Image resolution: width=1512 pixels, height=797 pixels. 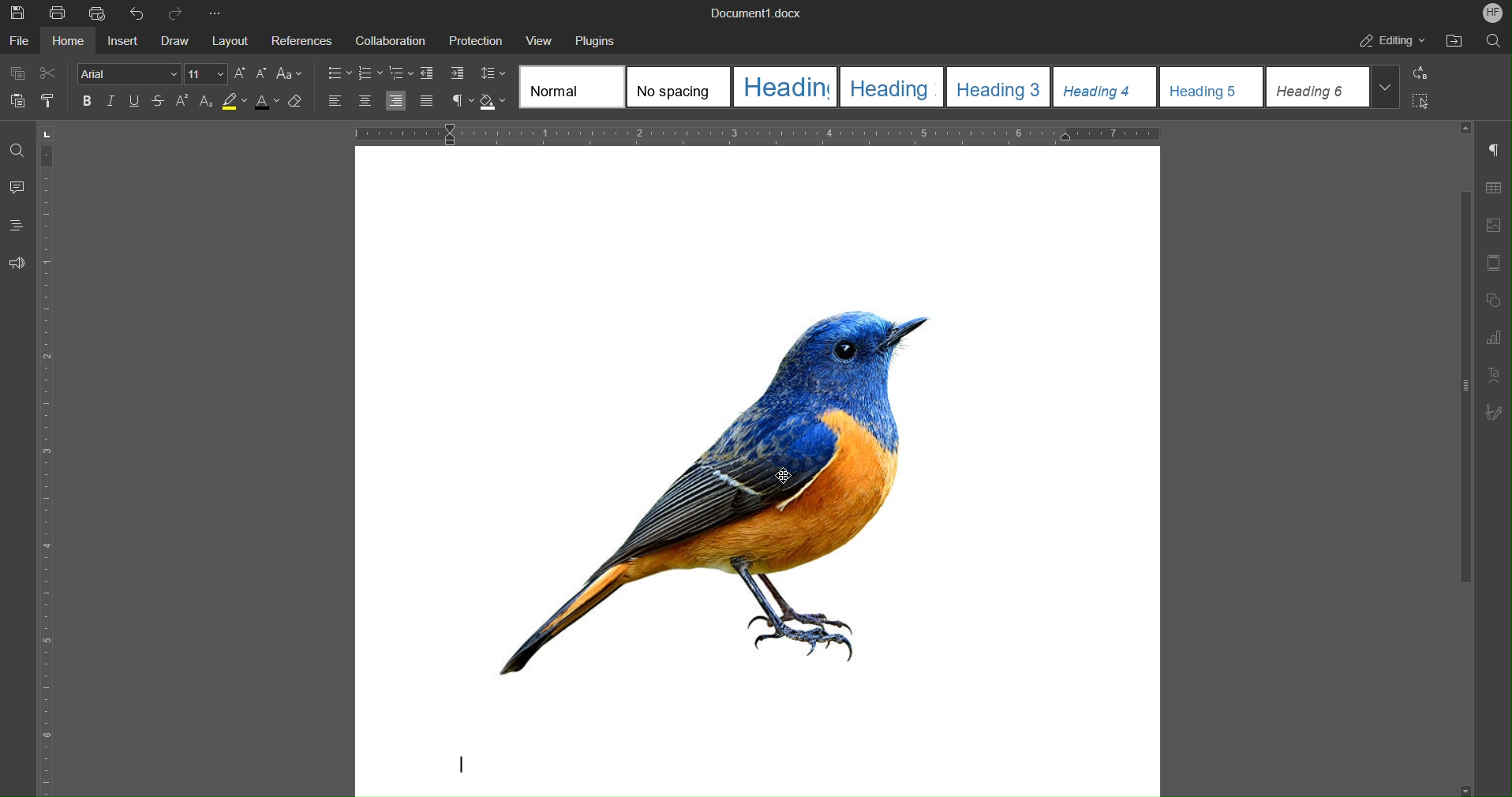 I want to click on References, so click(x=300, y=38).